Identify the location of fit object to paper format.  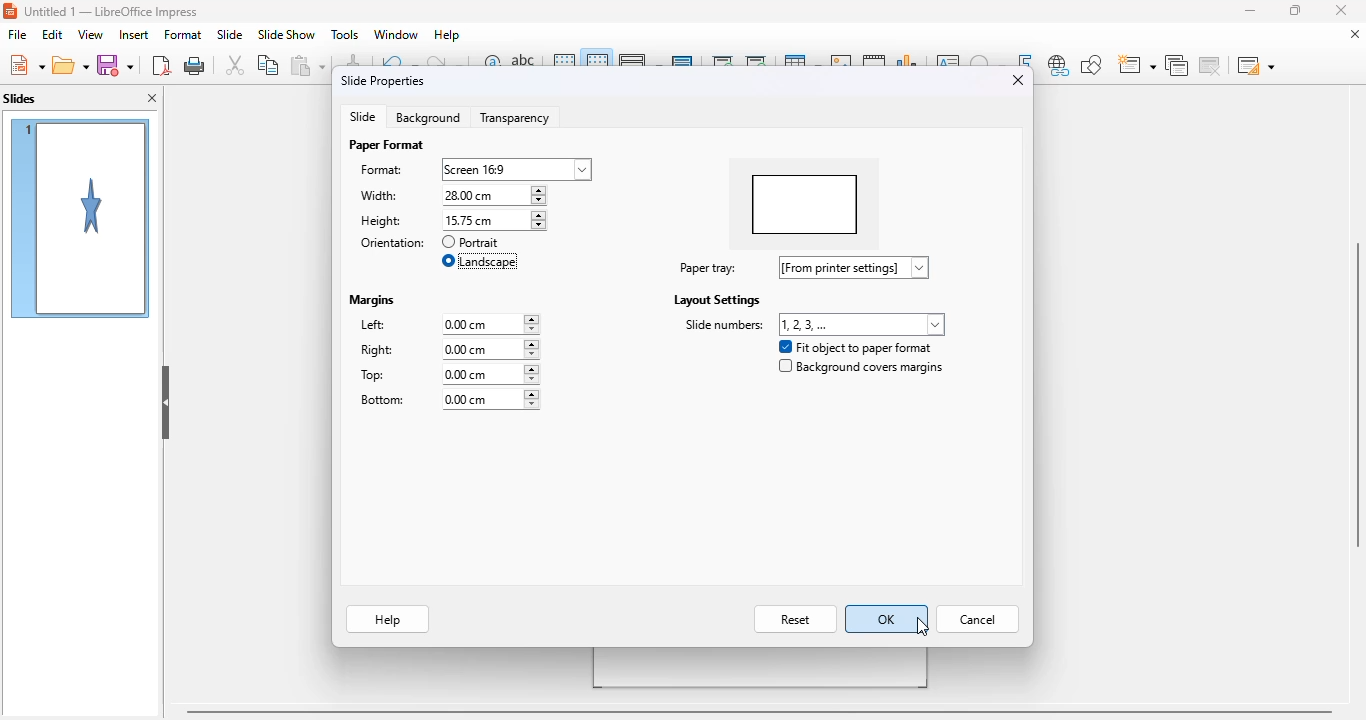
(856, 347).